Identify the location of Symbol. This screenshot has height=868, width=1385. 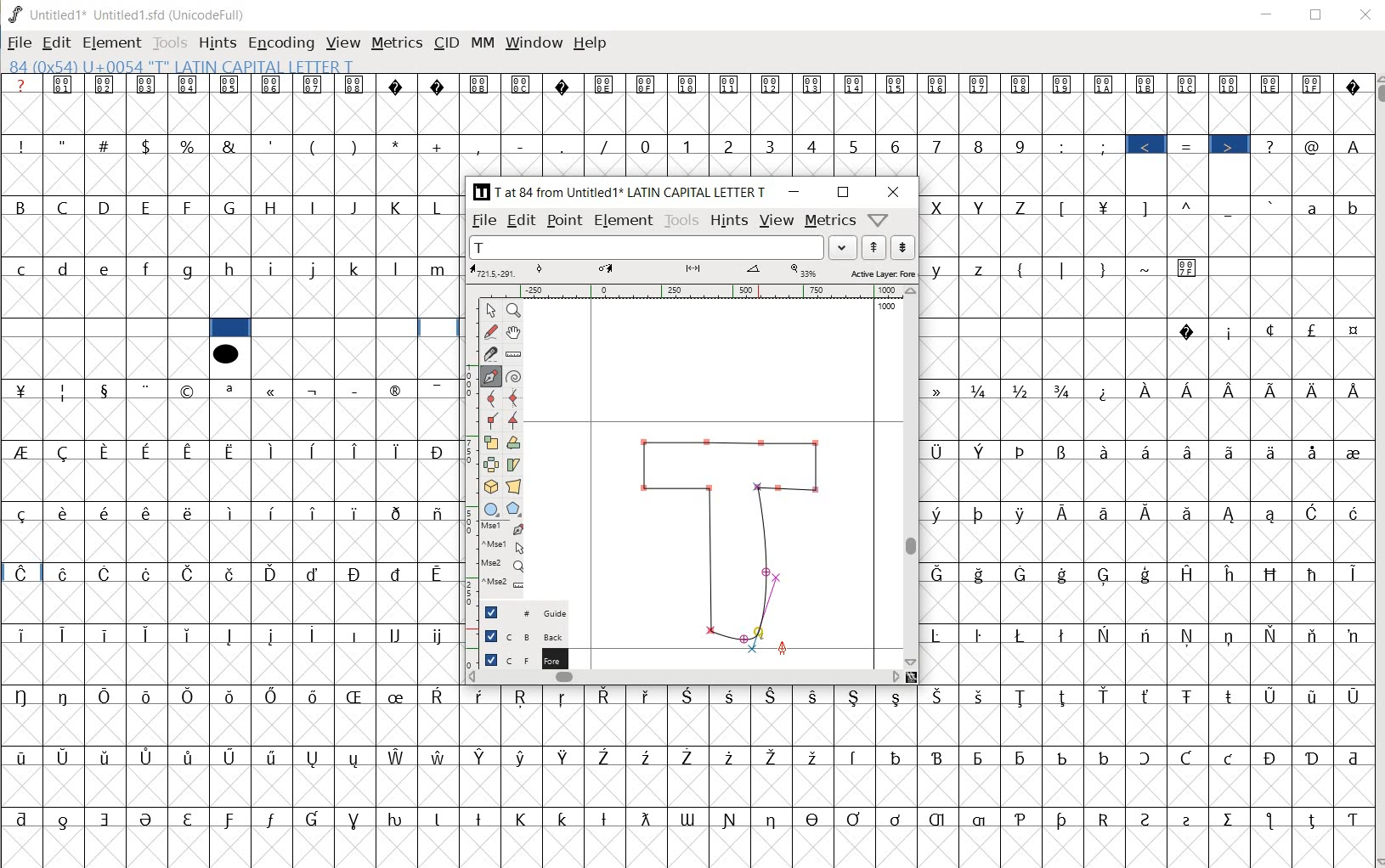
(981, 84).